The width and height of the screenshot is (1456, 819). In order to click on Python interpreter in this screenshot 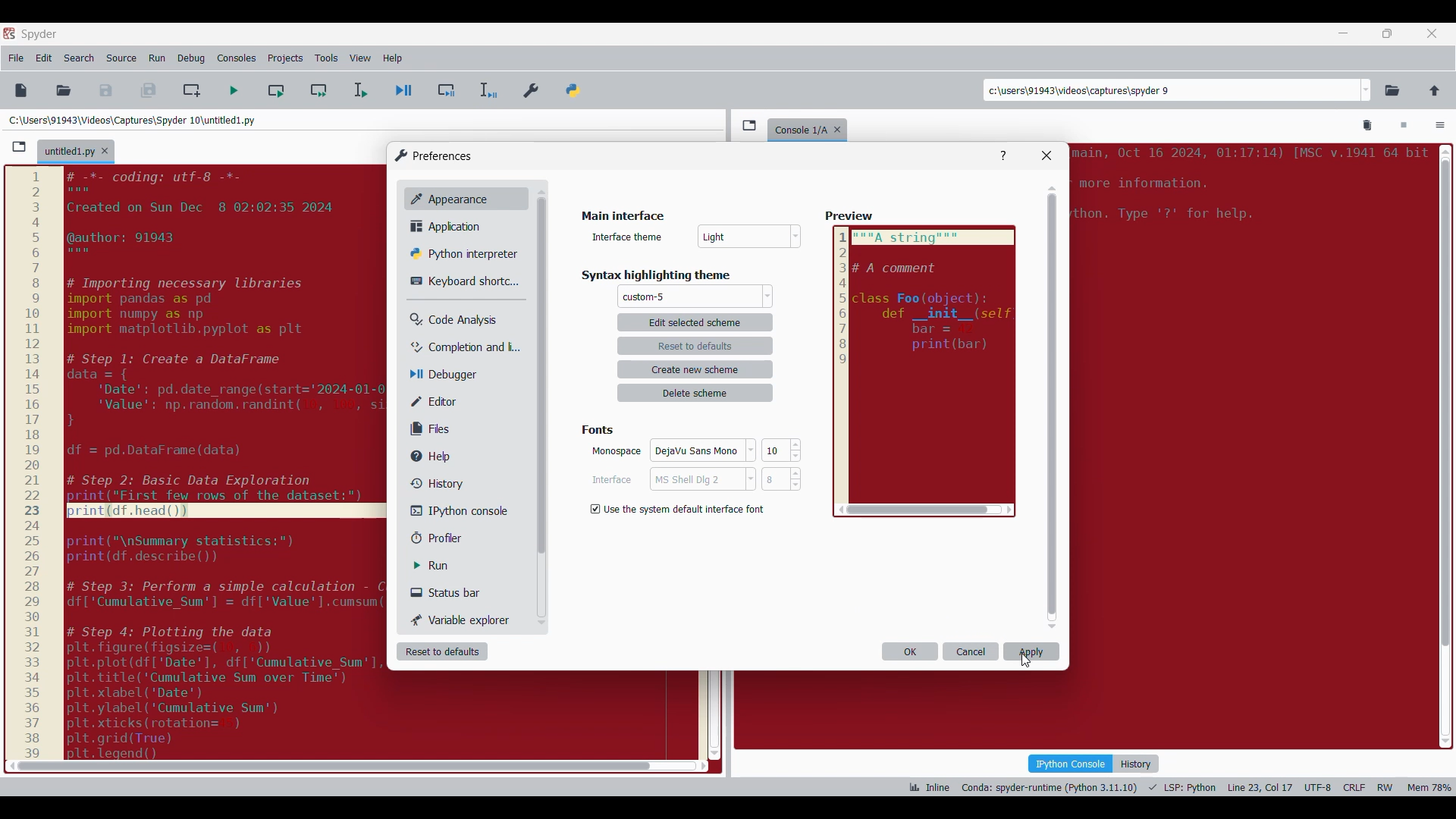, I will do `click(460, 253)`.